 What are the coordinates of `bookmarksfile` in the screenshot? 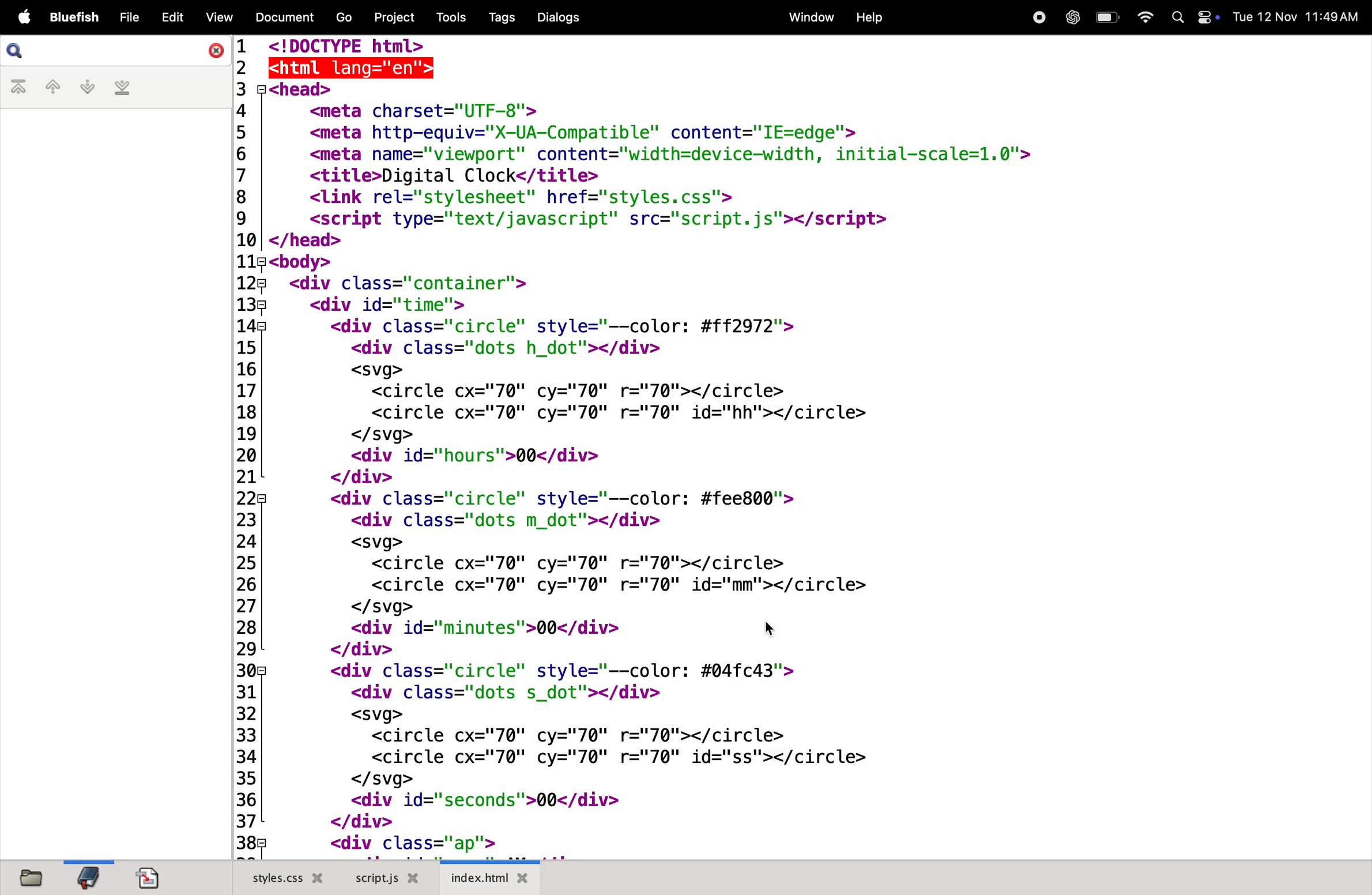 It's located at (86, 876).